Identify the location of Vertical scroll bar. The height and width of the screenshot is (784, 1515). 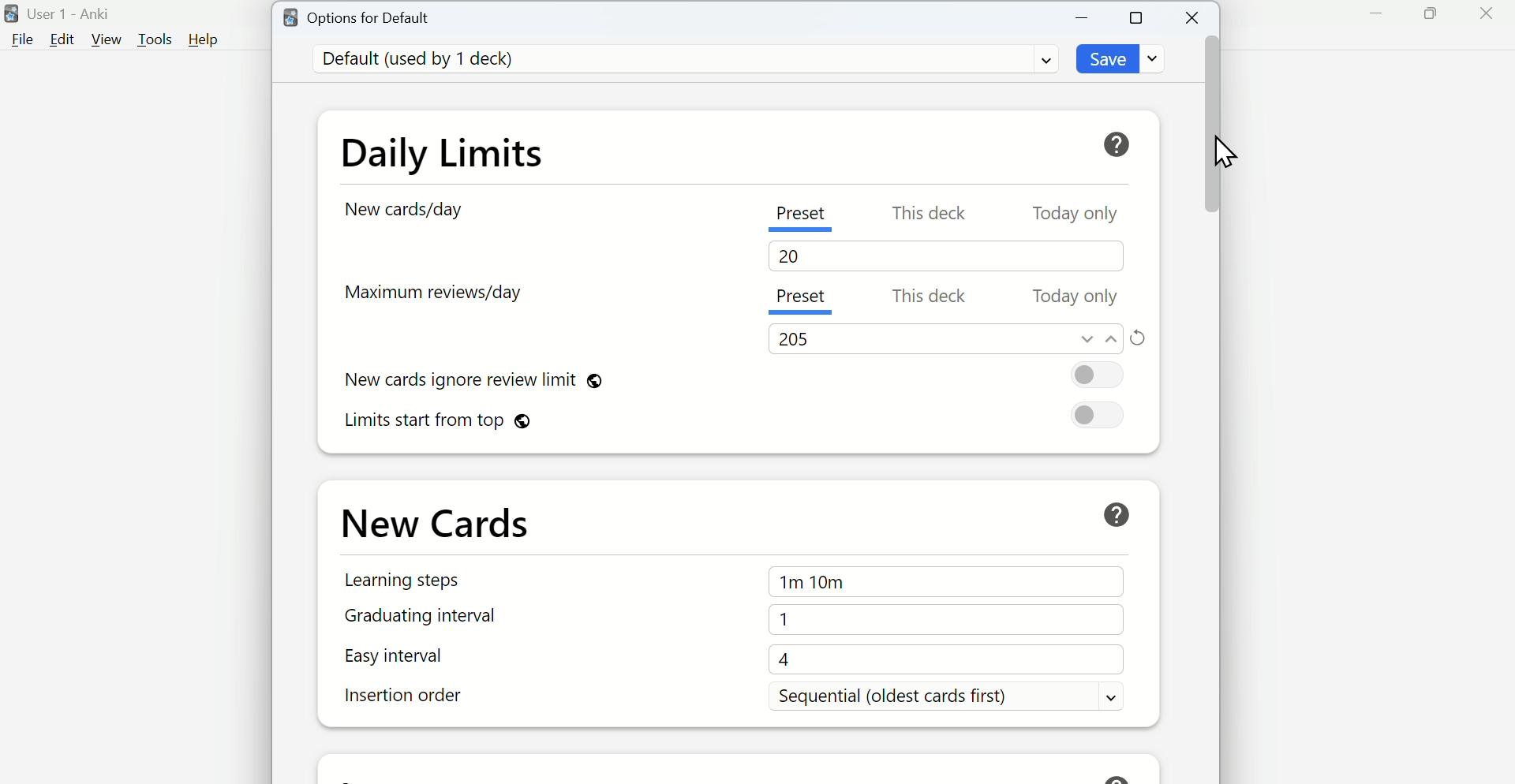
(1210, 407).